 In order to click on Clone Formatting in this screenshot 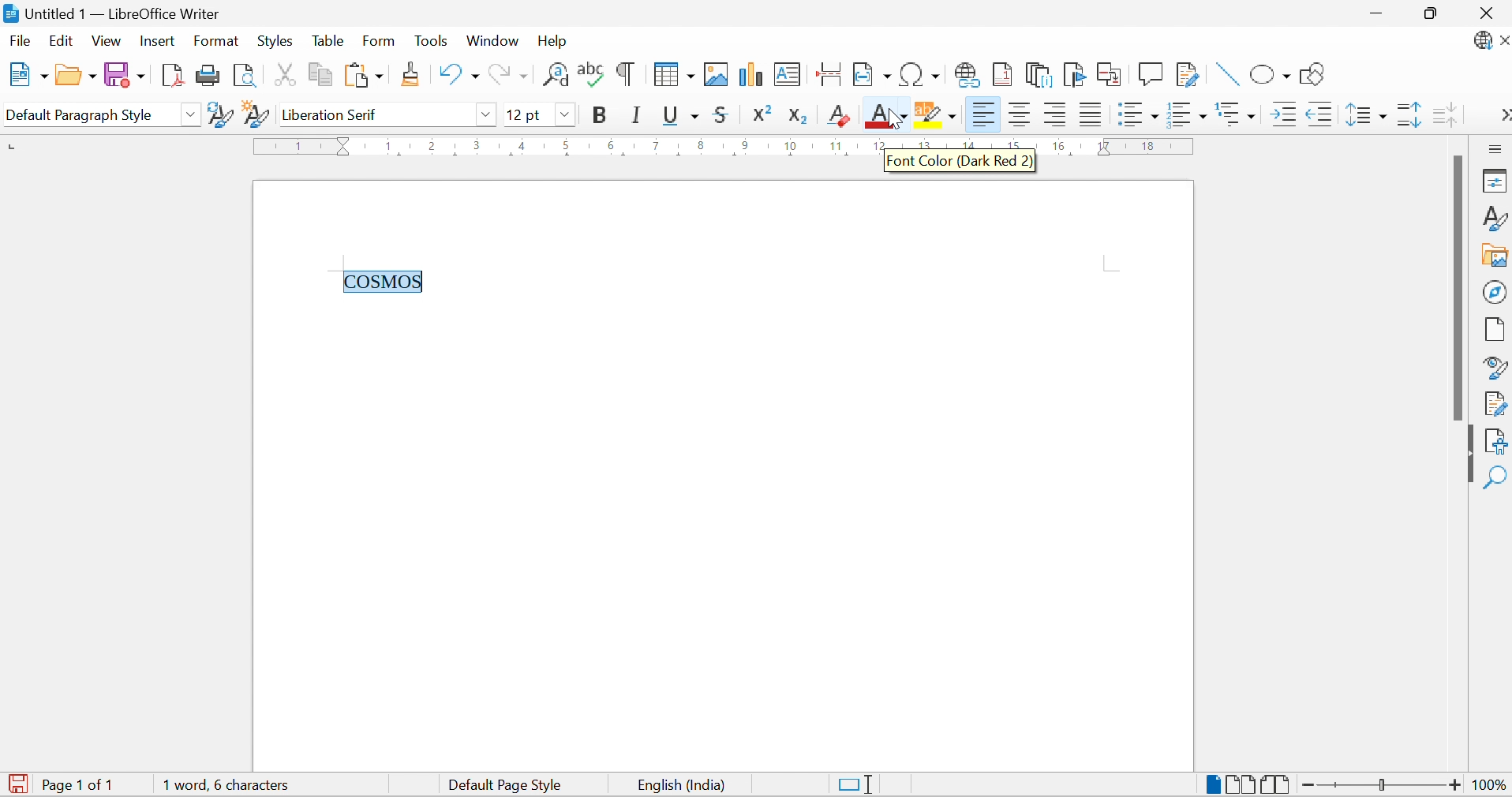, I will do `click(413, 73)`.